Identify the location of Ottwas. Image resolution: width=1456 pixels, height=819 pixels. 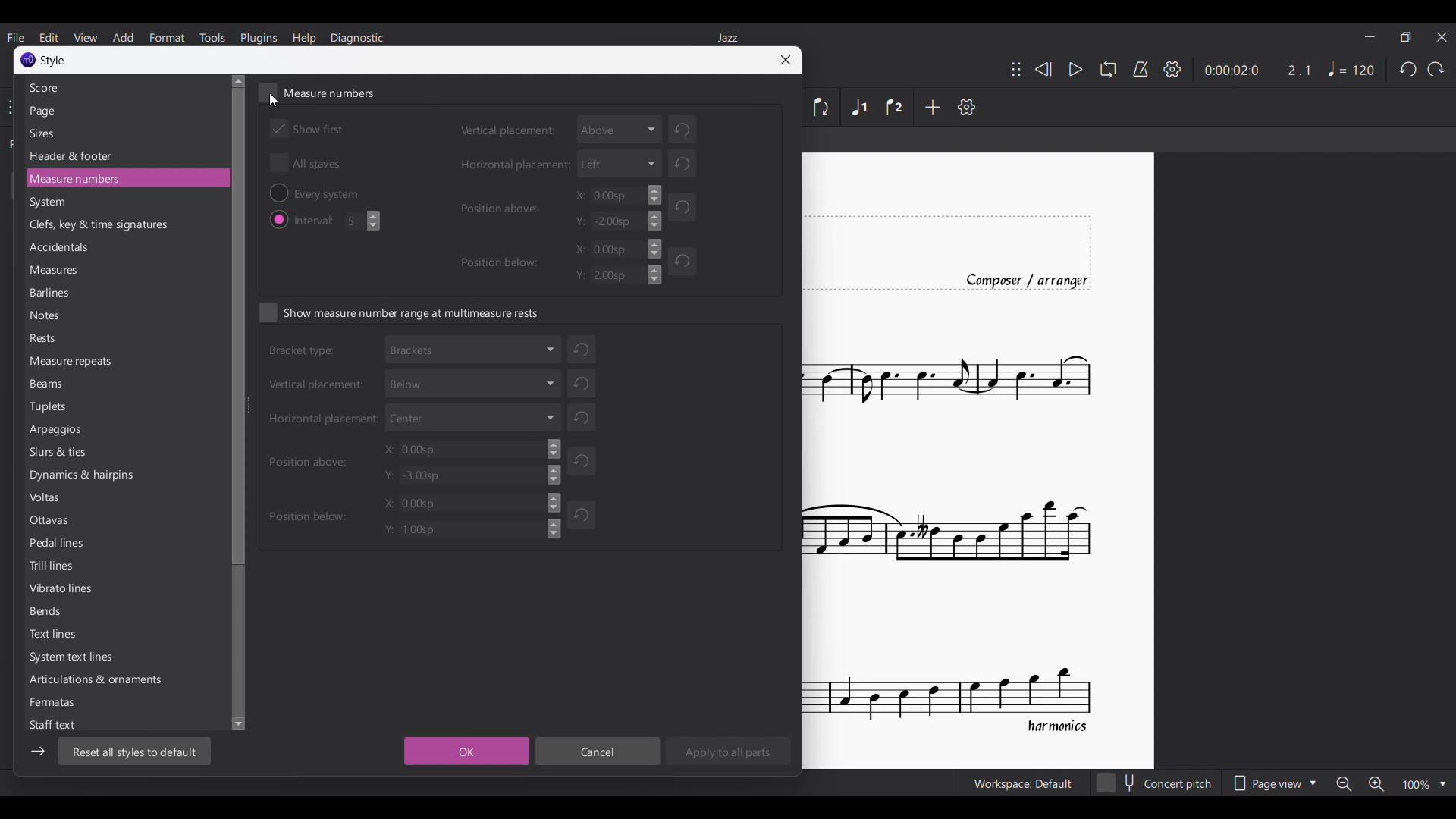
(53, 523).